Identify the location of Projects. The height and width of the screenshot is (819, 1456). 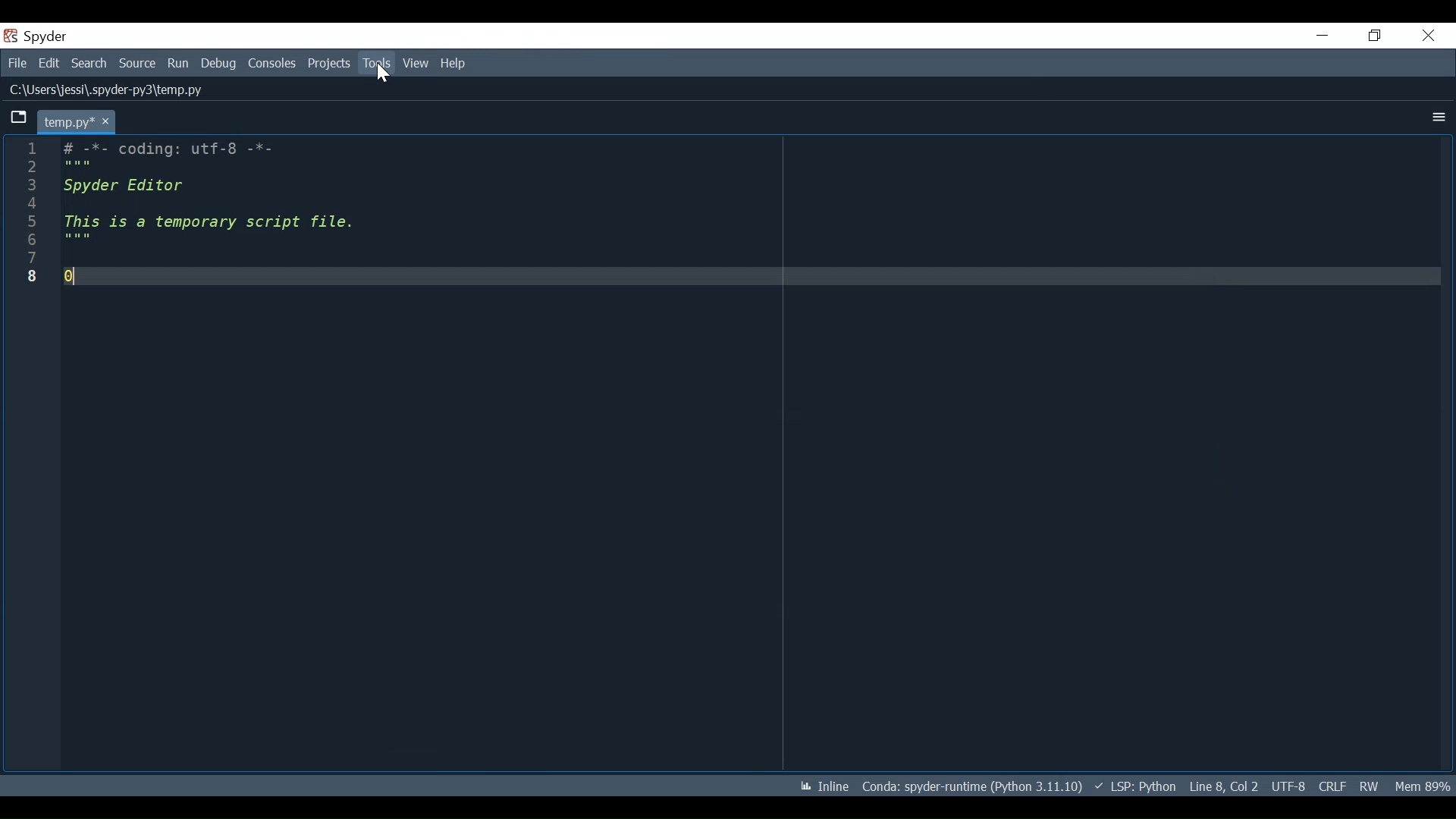
(329, 64).